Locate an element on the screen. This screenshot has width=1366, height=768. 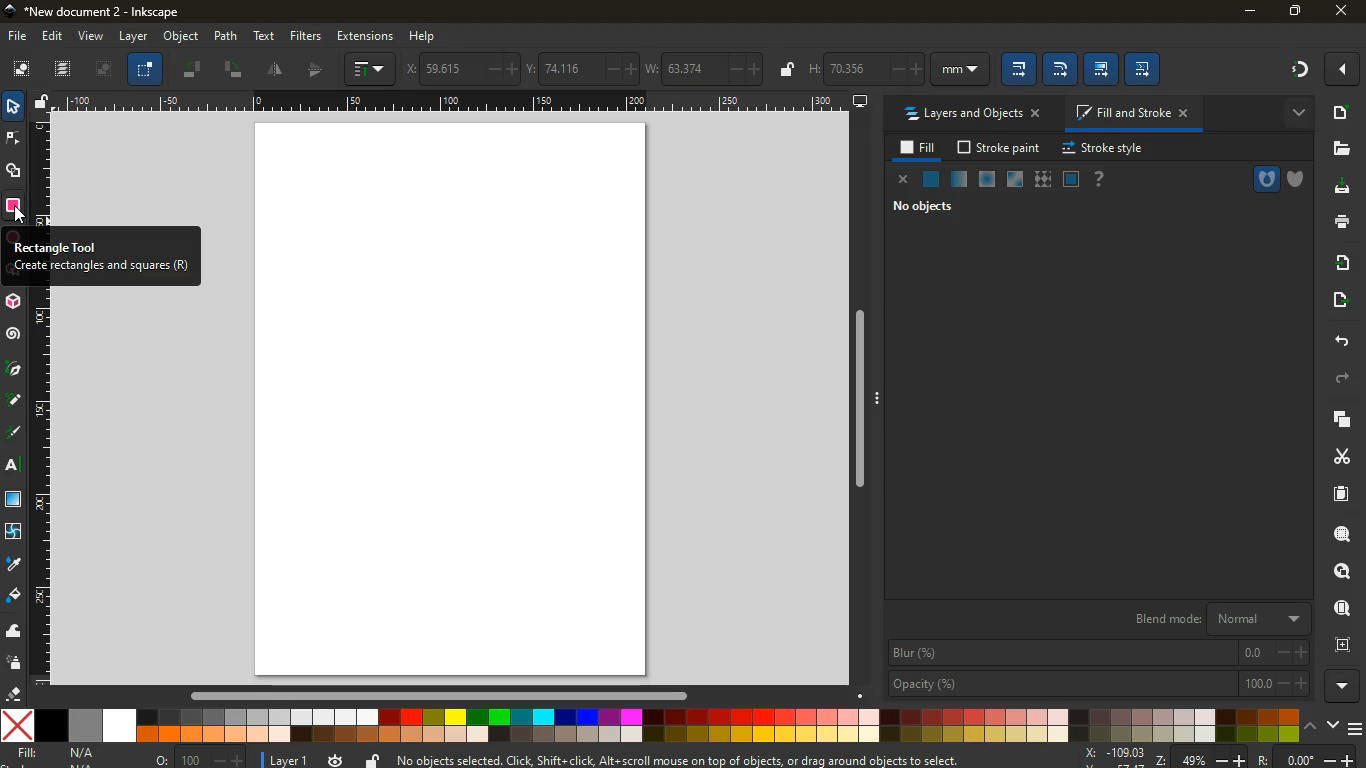
back is located at coordinates (1340, 338).